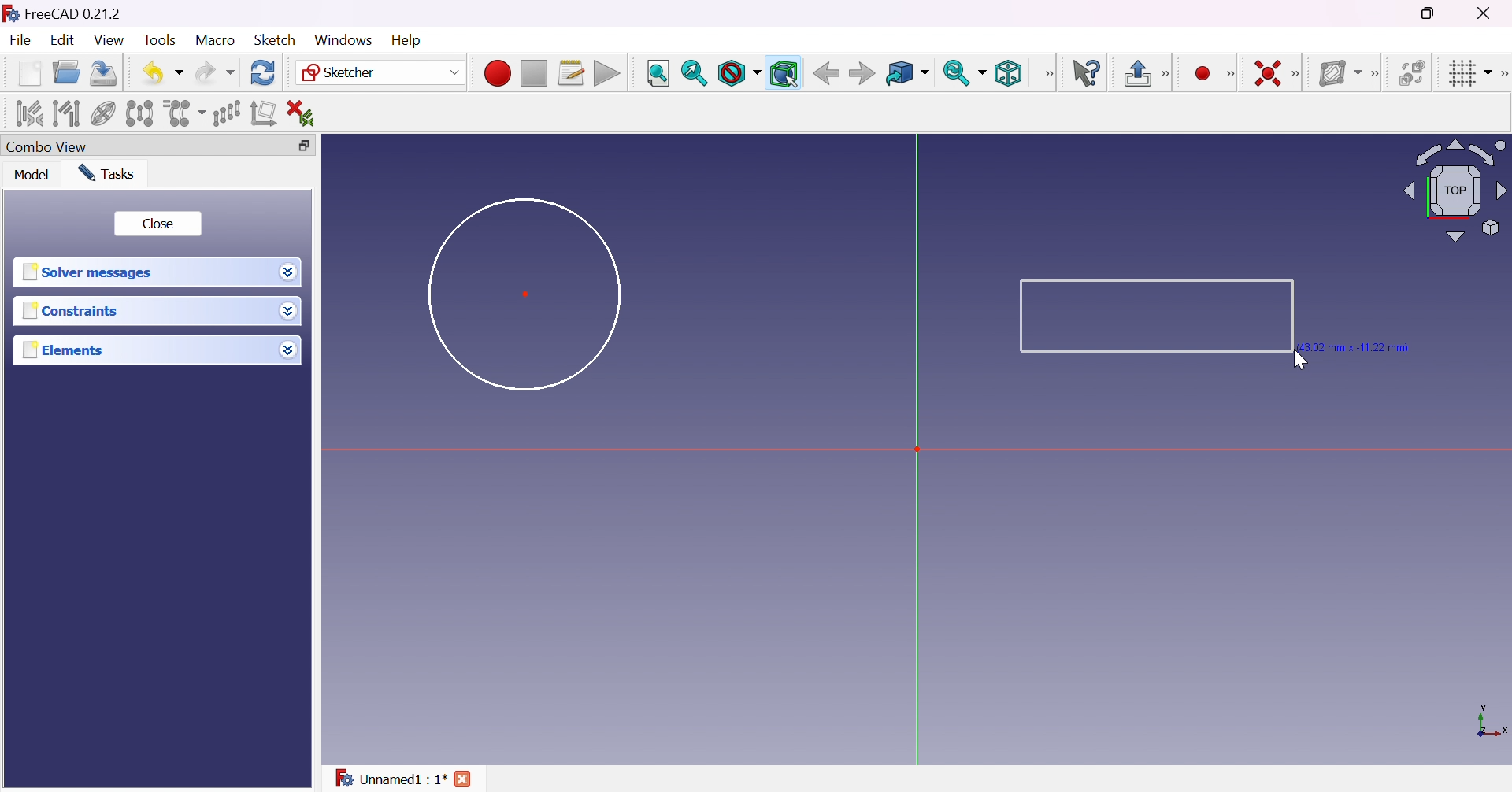 The height and width of the screenshot is (792, 1512). What do you see at coordinates (1157, 316) in the screenshot?
I see `Rectangle` at bounding box center [1157, 316].